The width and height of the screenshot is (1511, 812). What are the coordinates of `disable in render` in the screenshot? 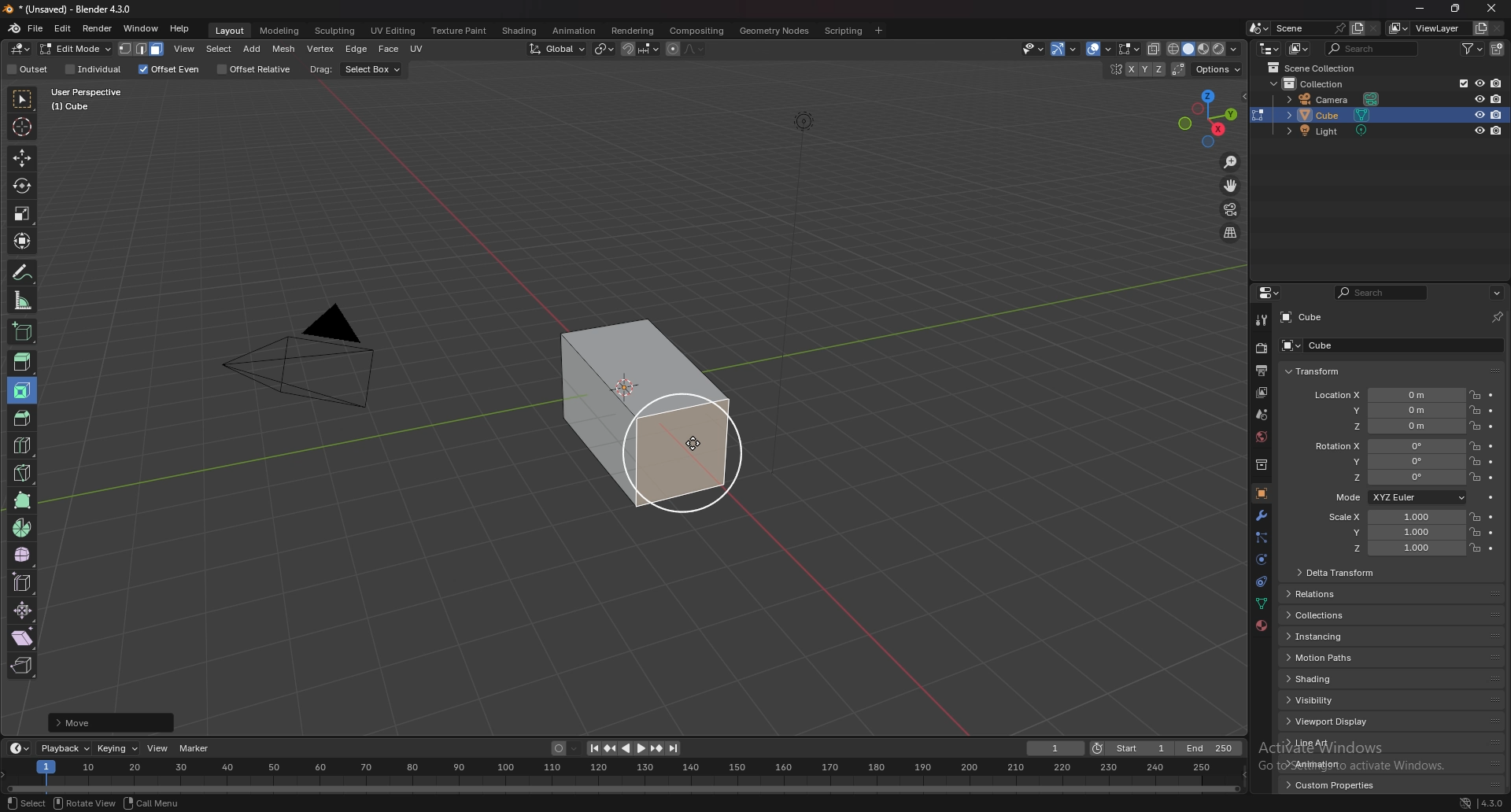 It's located at (1495, 83).